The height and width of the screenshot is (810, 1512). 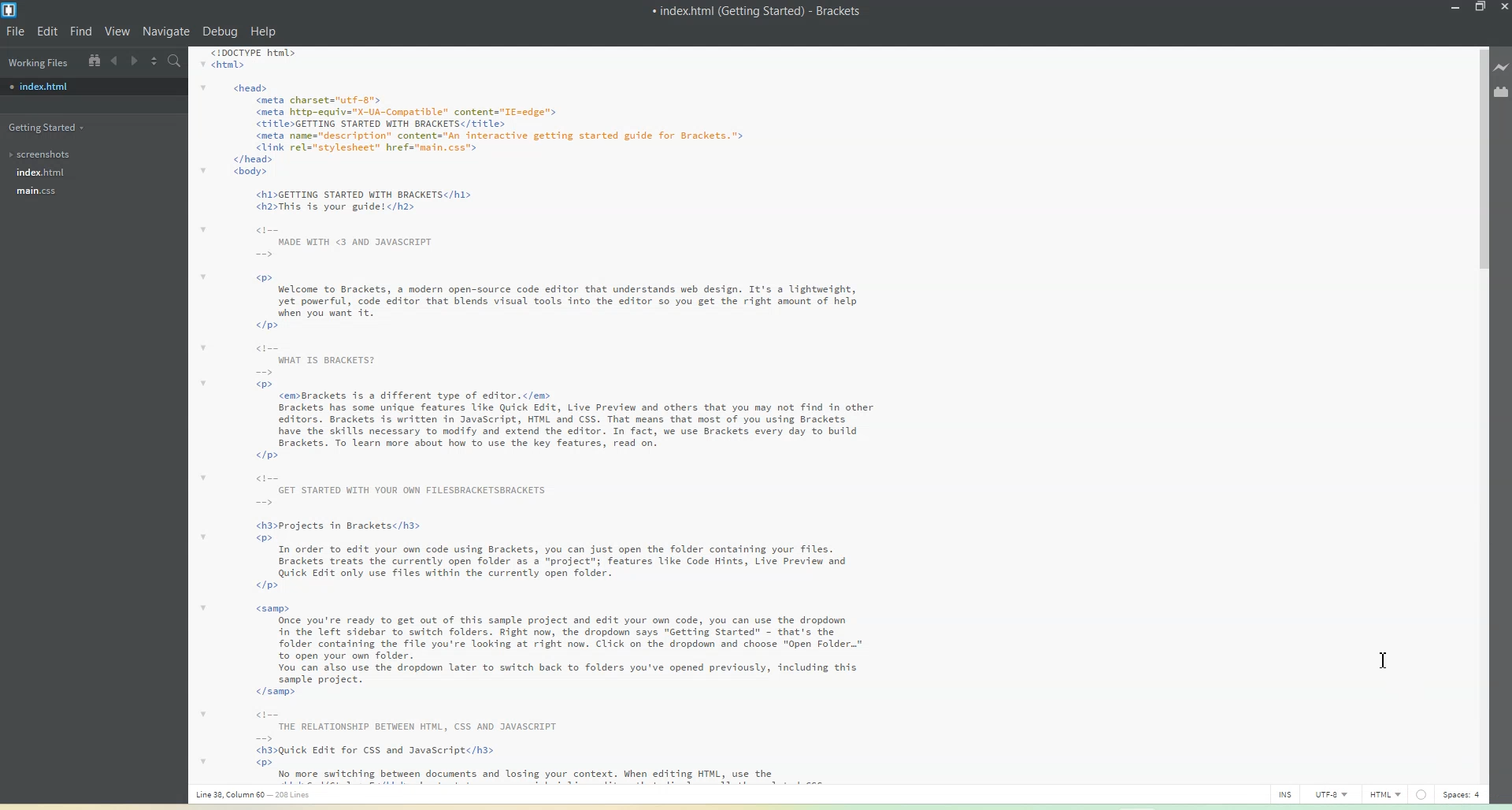 What do you see at coordinates (257, 798) in the screenshot?
I see `Line, column` at bounding box center [257, 798].